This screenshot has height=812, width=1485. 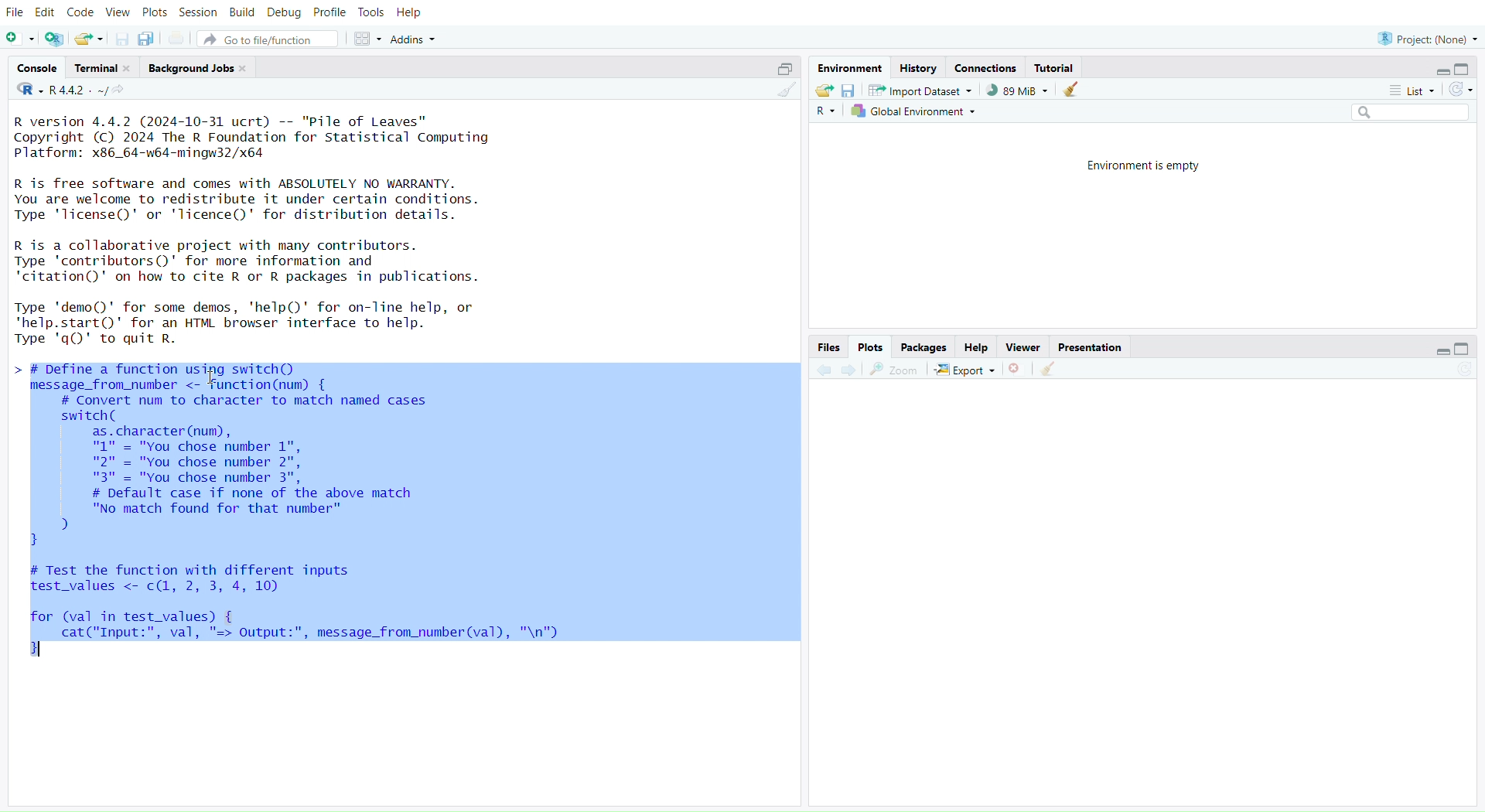 I want to click on Global environment, so click(x=917, y=112).